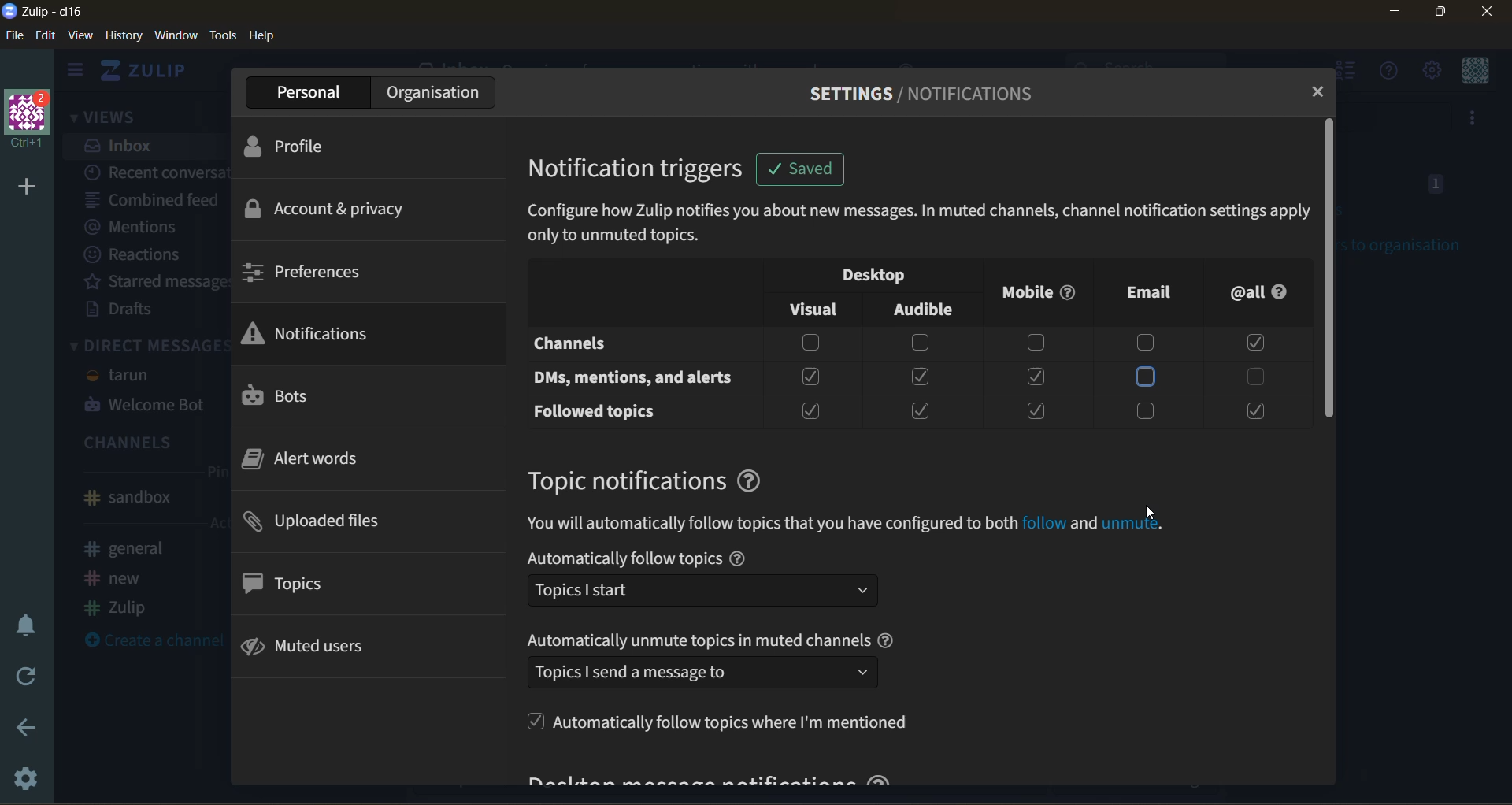 Image resolution: width=1512 pixels, height=805 pixels. Describe the element at coordinates (851, 522) in the screenshot. I see `metadata` at that location.